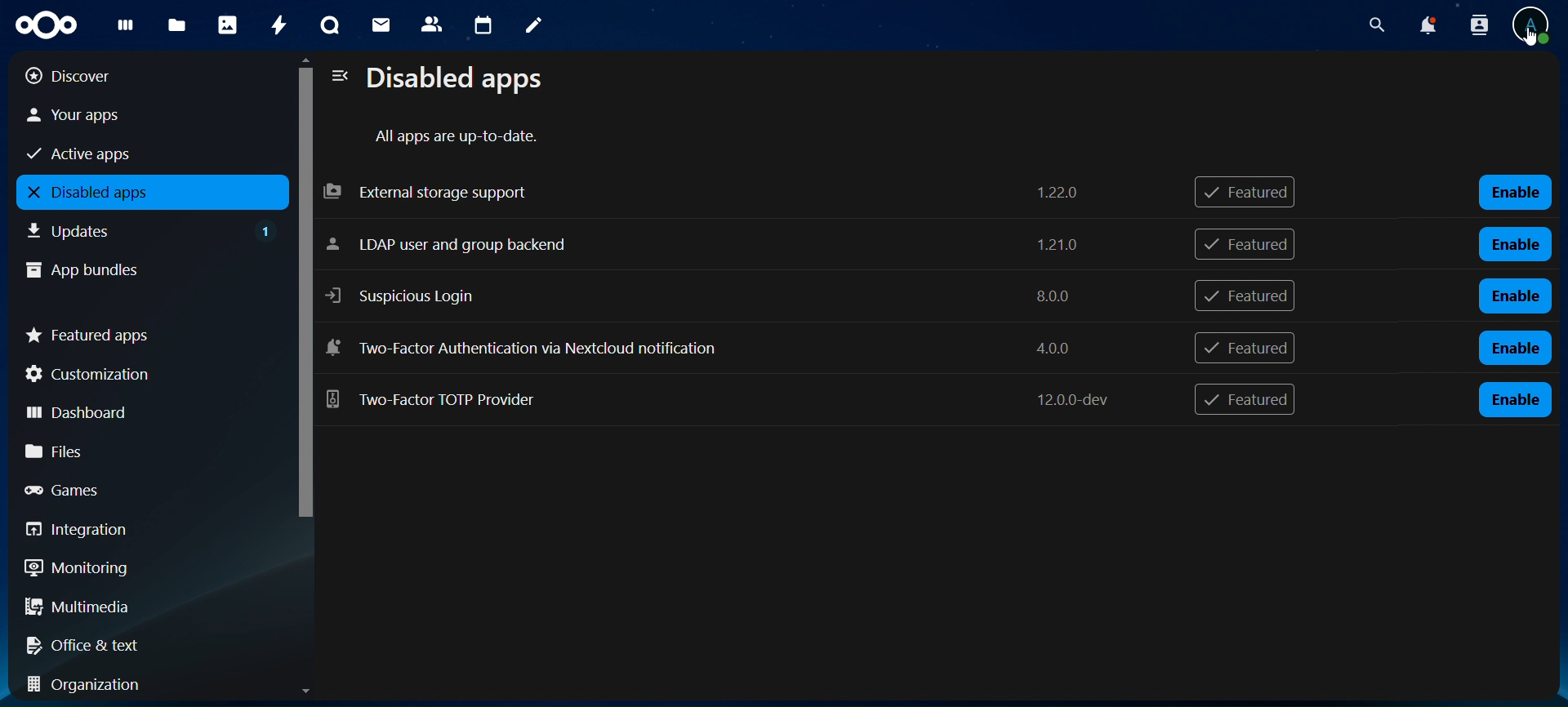  Describe the element at coordinates (1515, 399) in the screenshot. I see `enable` at that location.